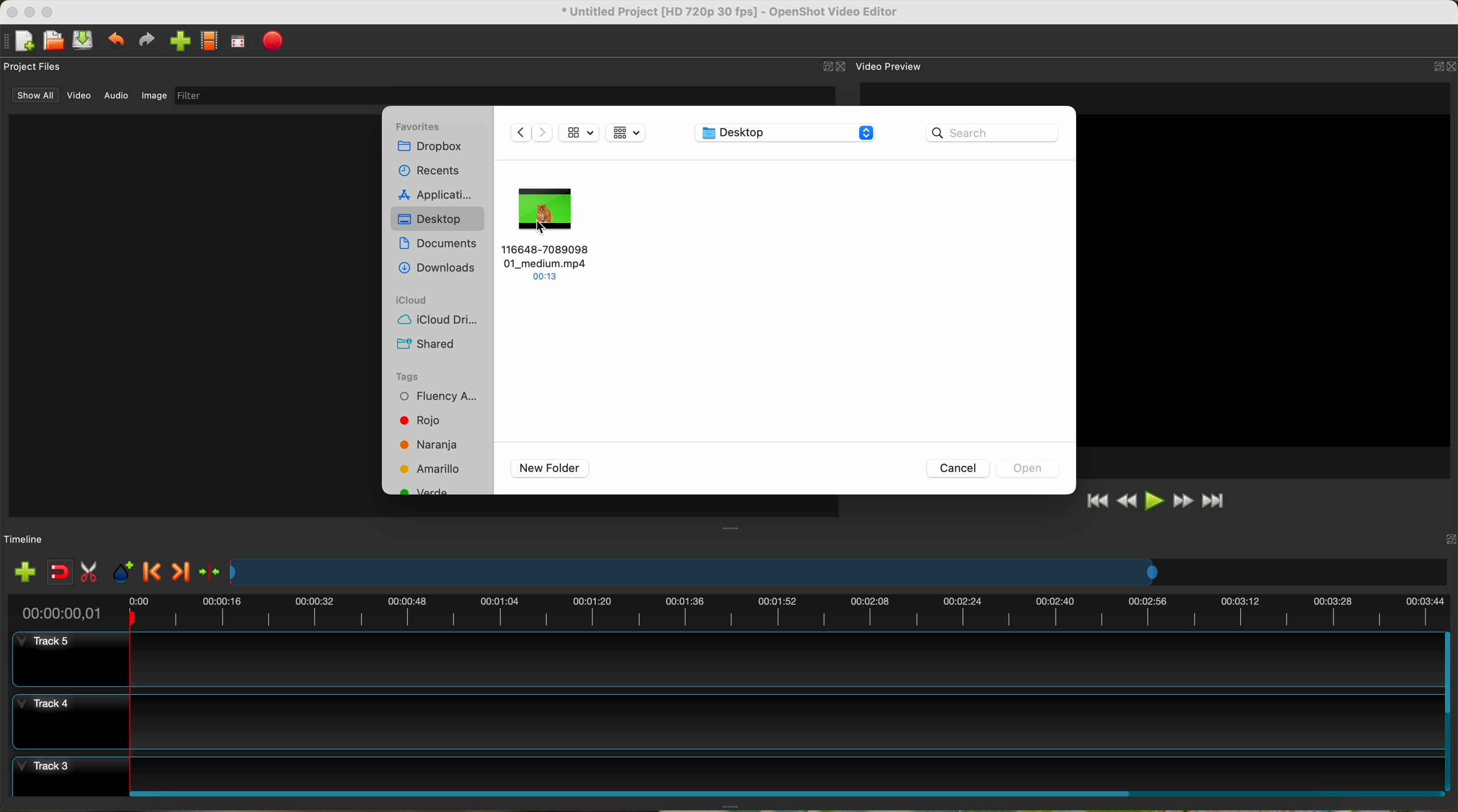  What do you see at coordinates (183, 573) in the screenshot?
I see `next marker` at bounding box center [183, 573].